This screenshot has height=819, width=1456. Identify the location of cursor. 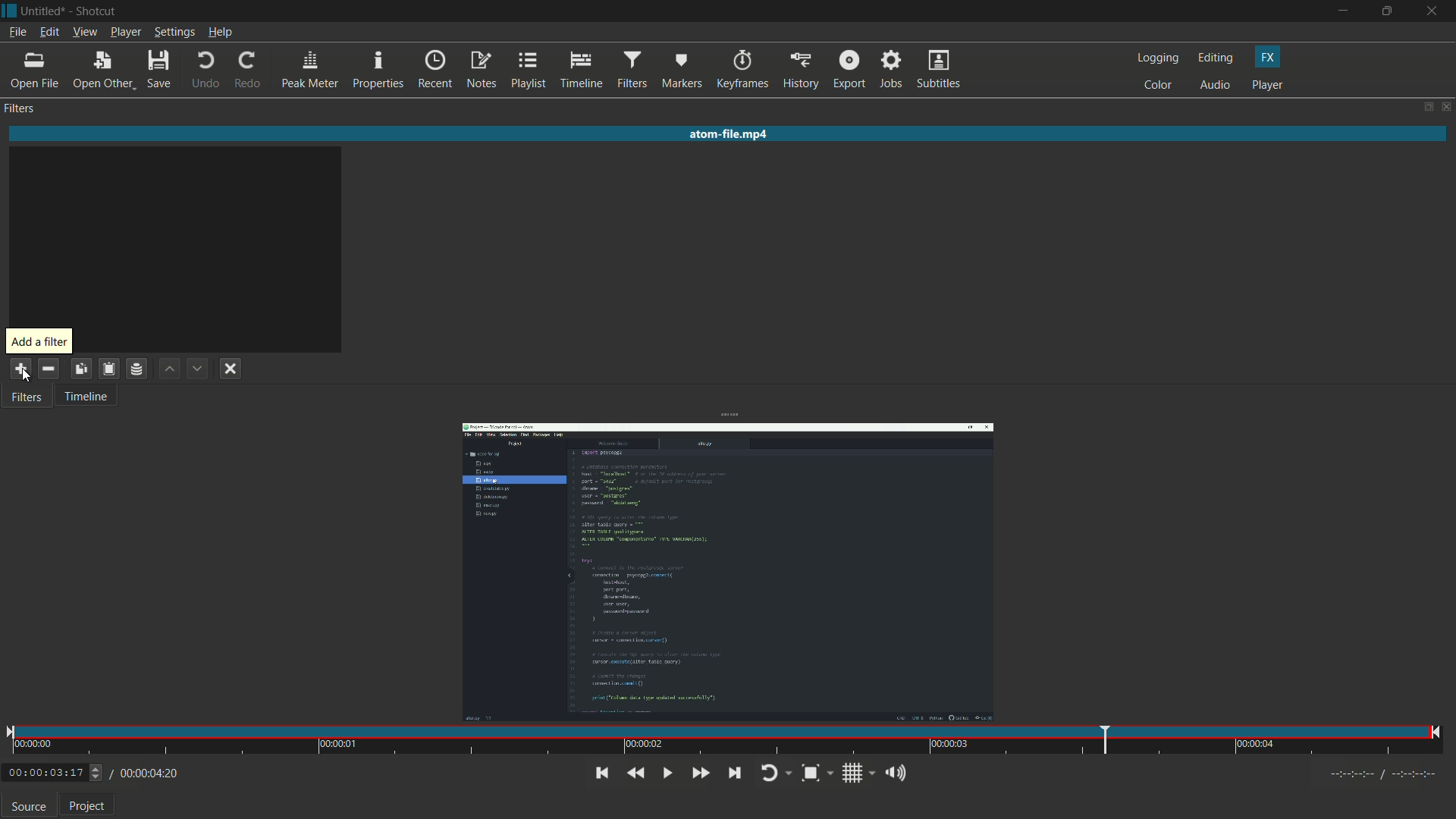
(23, 375).